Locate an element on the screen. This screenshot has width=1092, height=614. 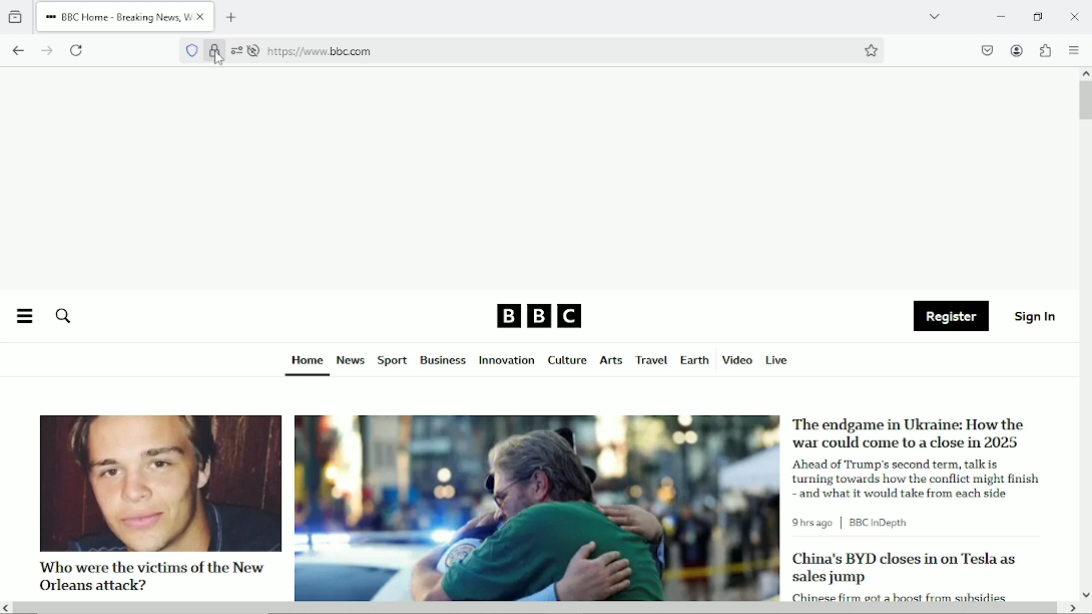
open application menu is located at coordinates (1073, 50).